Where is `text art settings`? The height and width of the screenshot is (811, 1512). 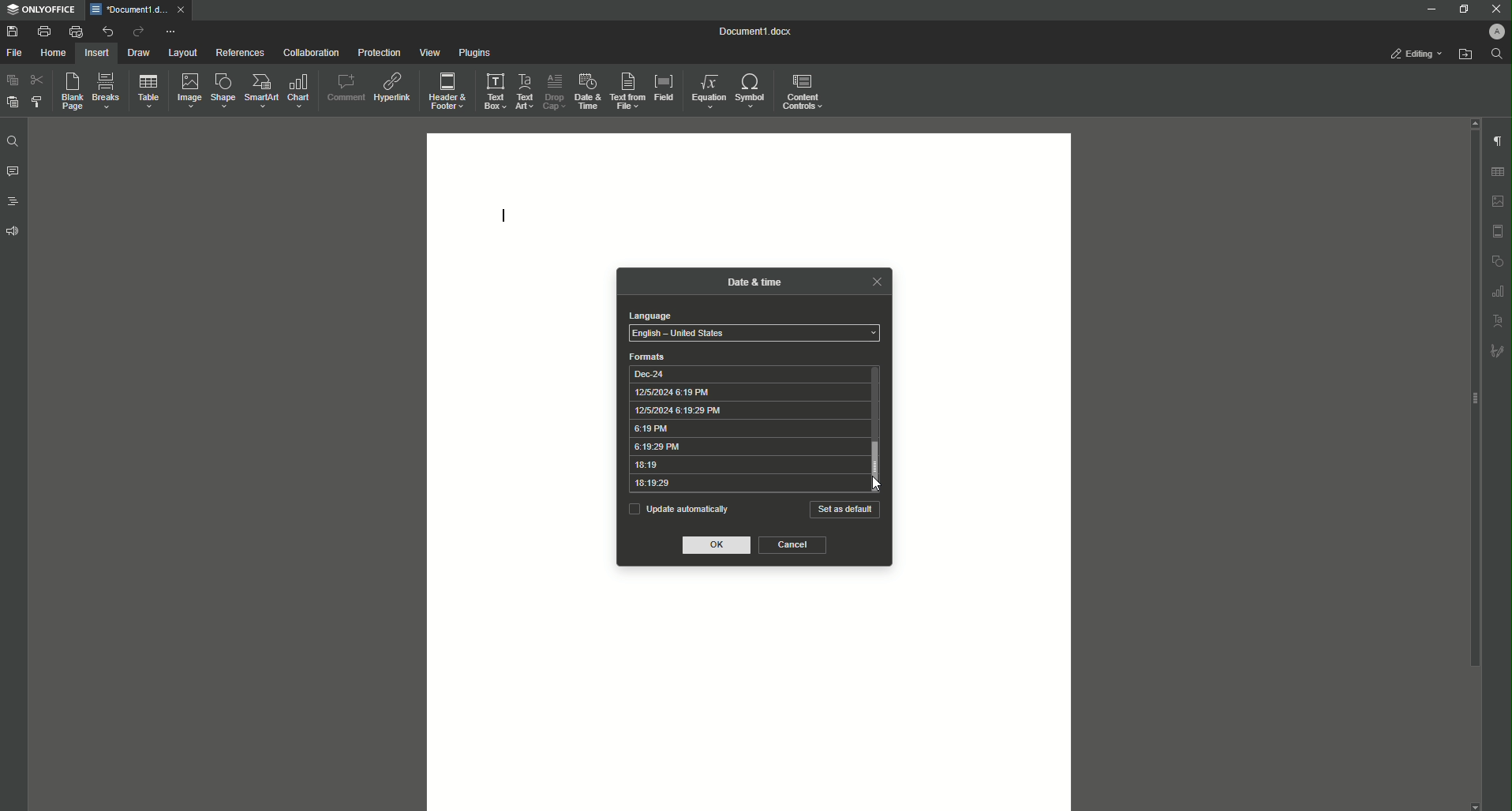 text art settings is located at coordinates (1499, 319).